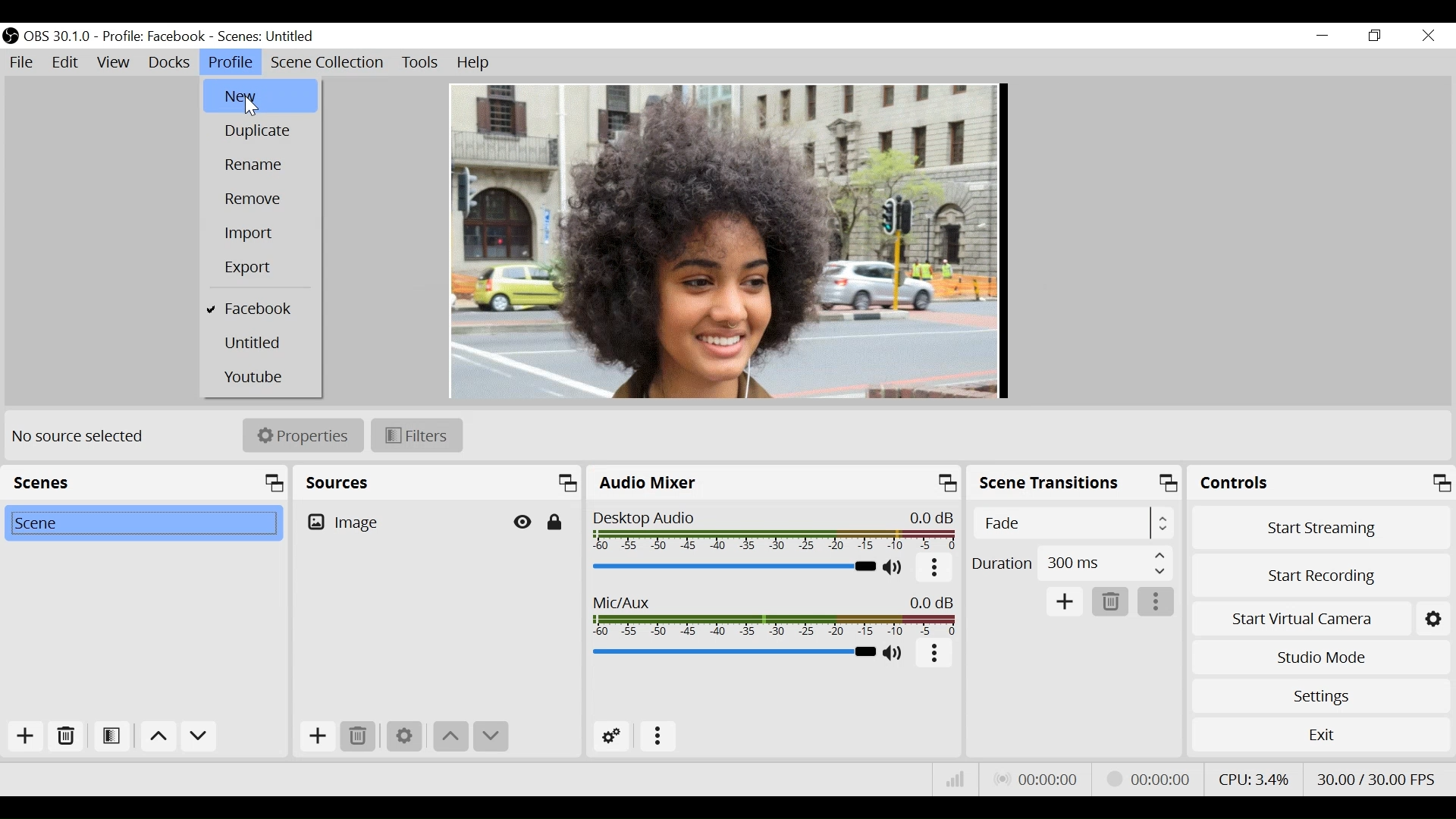  What do you see at coordinates (158, 737) in the screenshot?
I see `move up` at bounding box center [158, 737].